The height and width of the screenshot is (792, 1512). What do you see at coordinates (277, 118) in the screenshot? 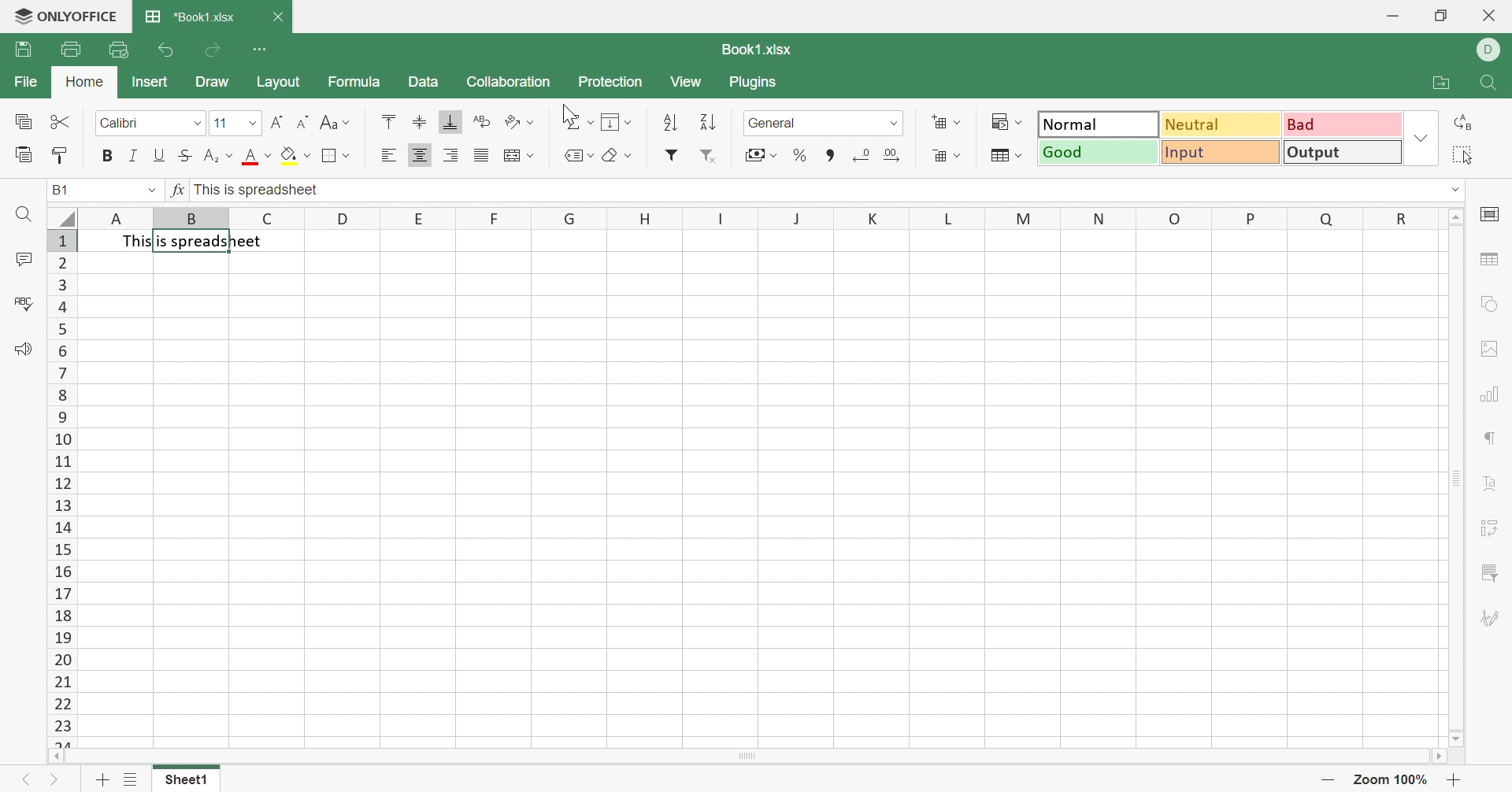
I see `Increment Font size` at bounding box center [277, 118].